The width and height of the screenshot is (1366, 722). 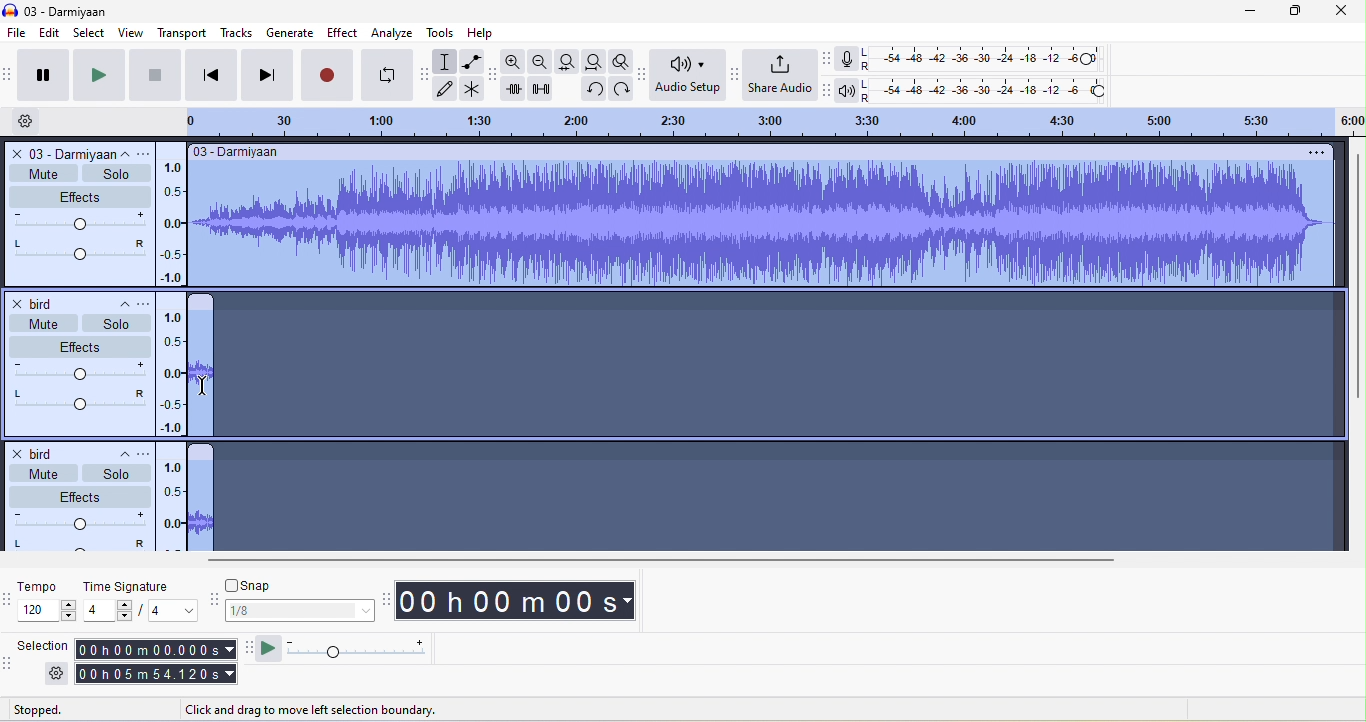 What do you see at coordinates (1290, 11) in the screenshot?
I see `maximize` at bounding box center [1290, 11].